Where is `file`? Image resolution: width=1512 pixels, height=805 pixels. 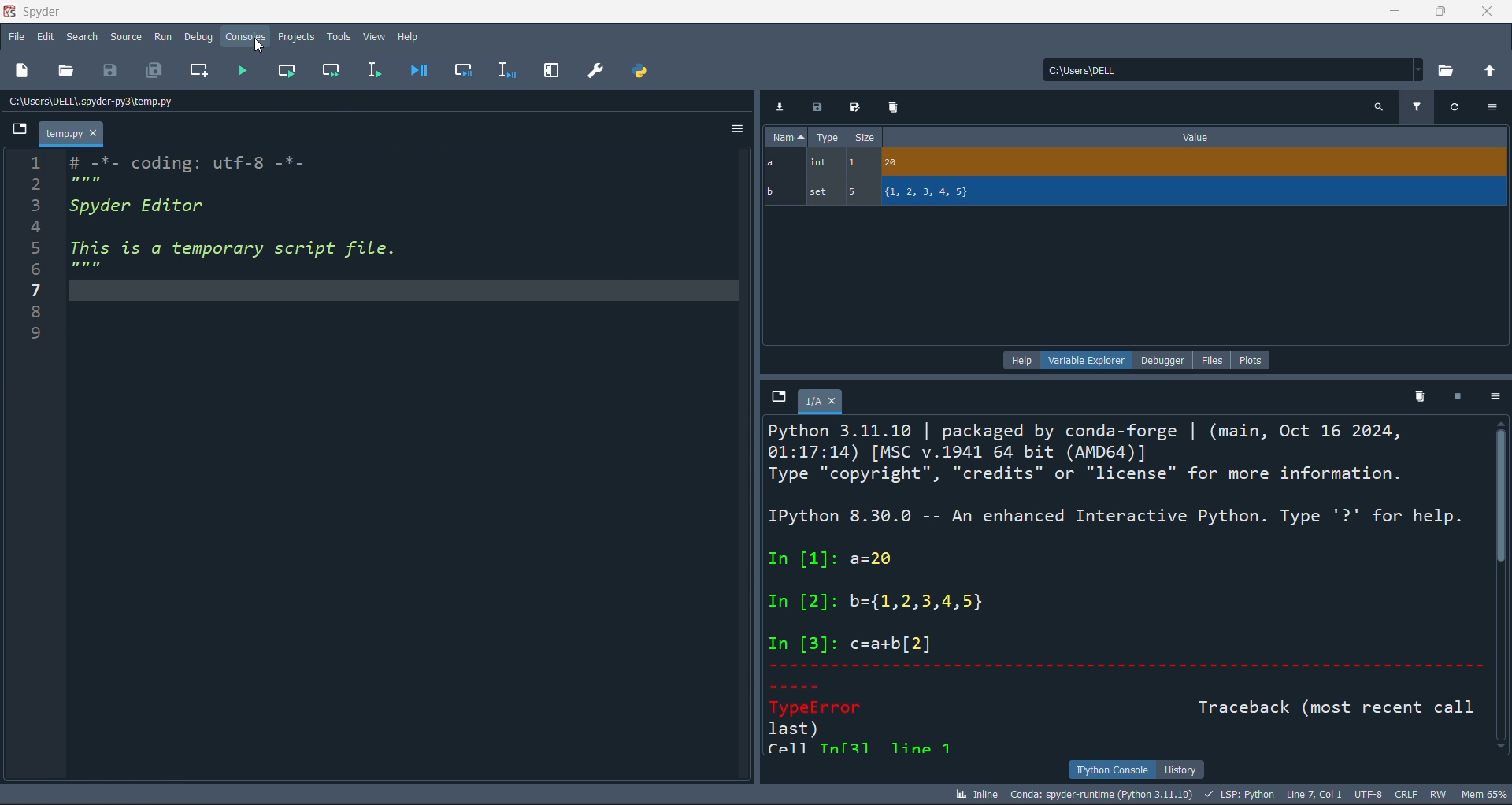 file is located at coordinates (16, 36).